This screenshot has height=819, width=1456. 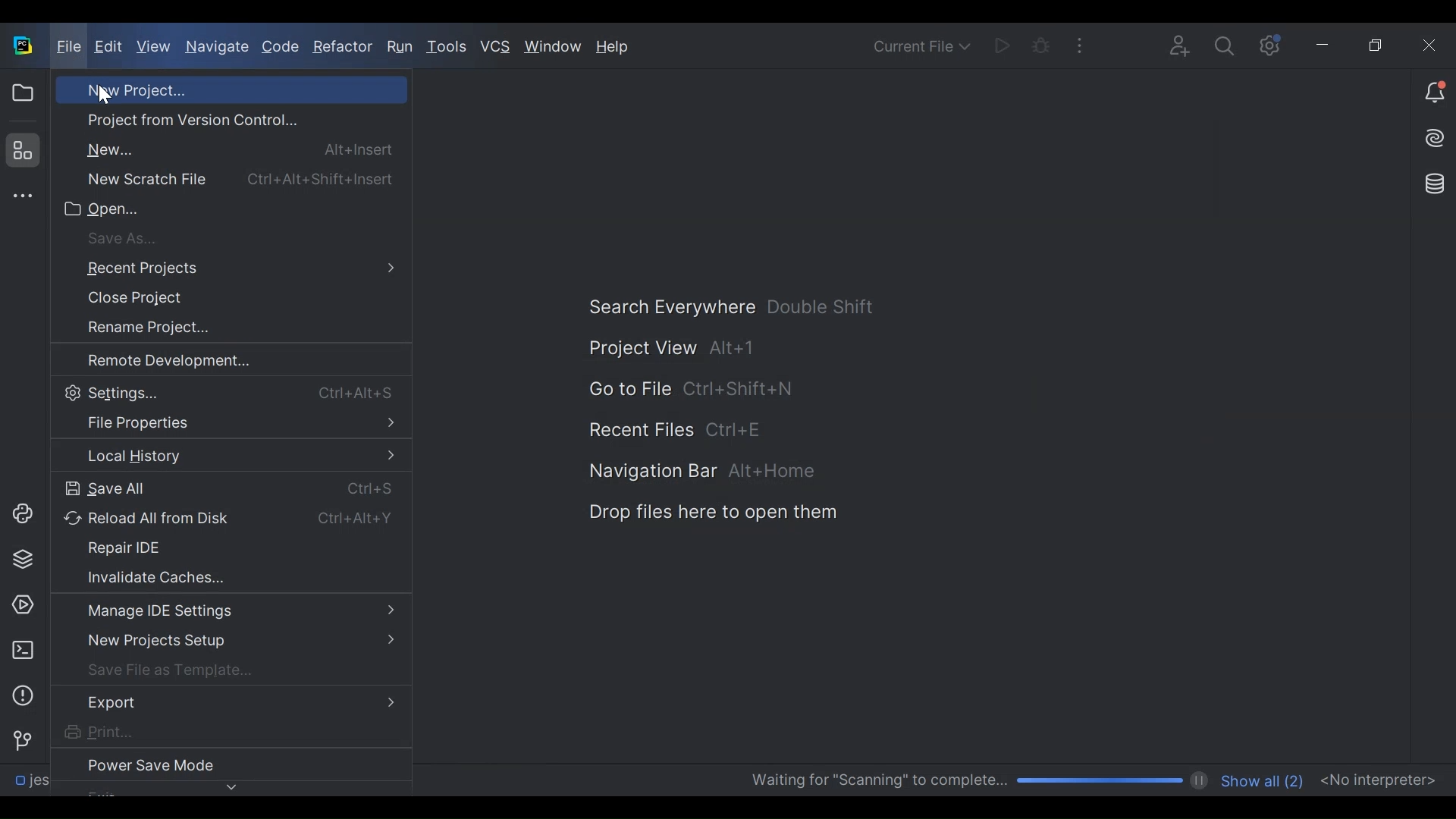 I want to click on Scanning Progress, so click(x=965, y=781).